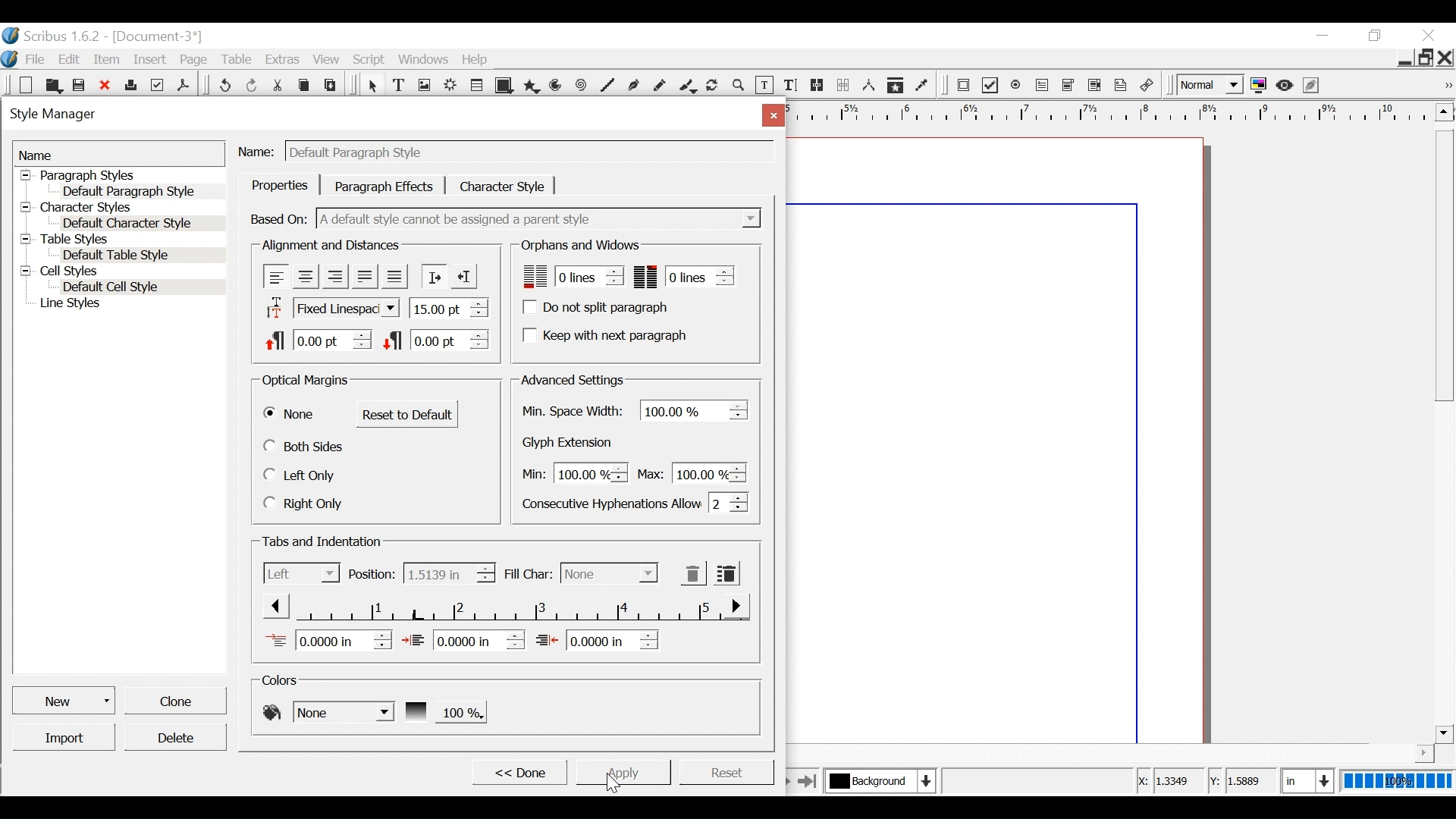 The width and height of the screenshot is (1456, 819). Describe the element at coordinates (527, 575) in the screenshot. I see `Fill Char` at that location.